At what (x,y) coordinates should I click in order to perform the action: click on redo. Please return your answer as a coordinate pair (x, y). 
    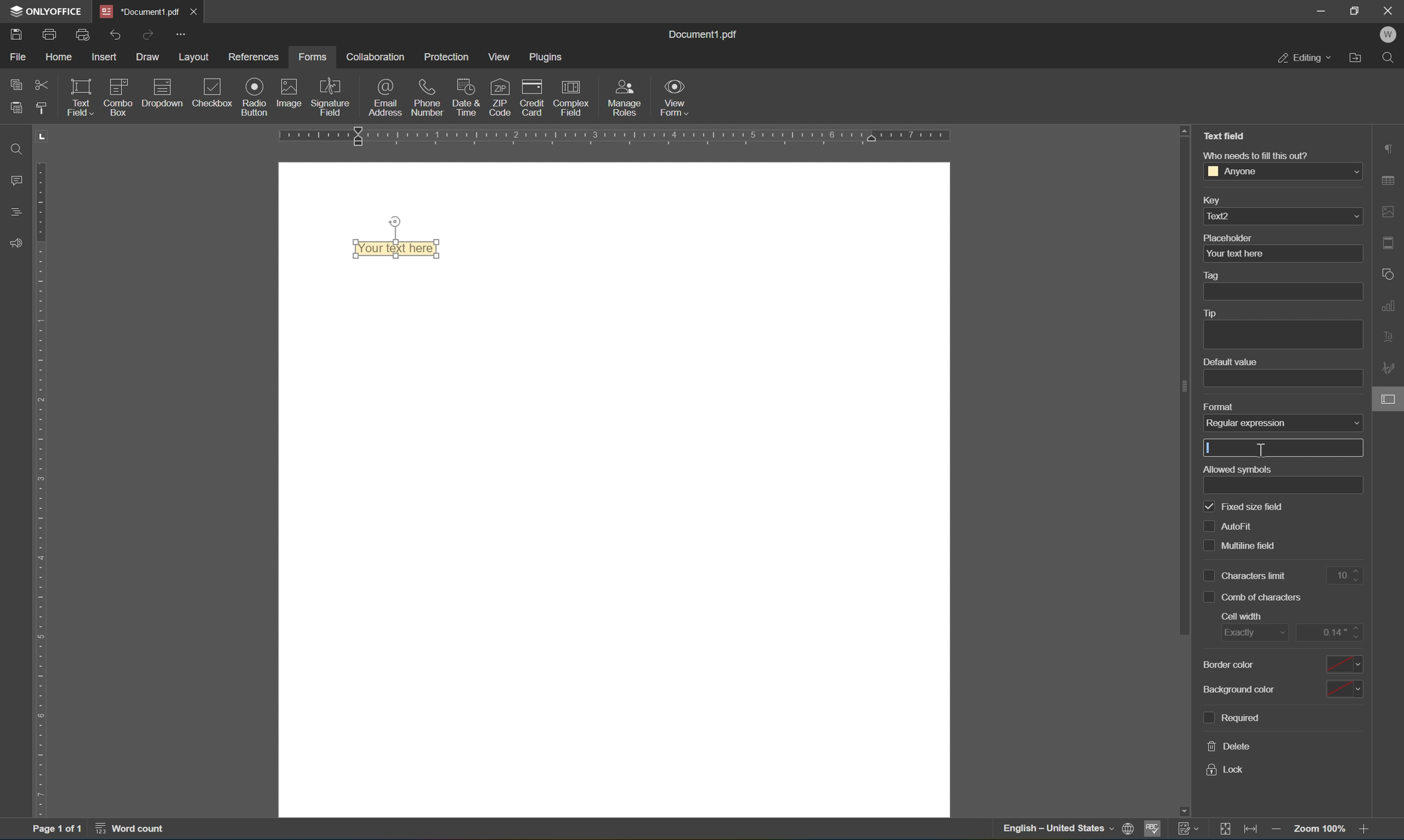
    Looking at the image, I should click on (148, 35).